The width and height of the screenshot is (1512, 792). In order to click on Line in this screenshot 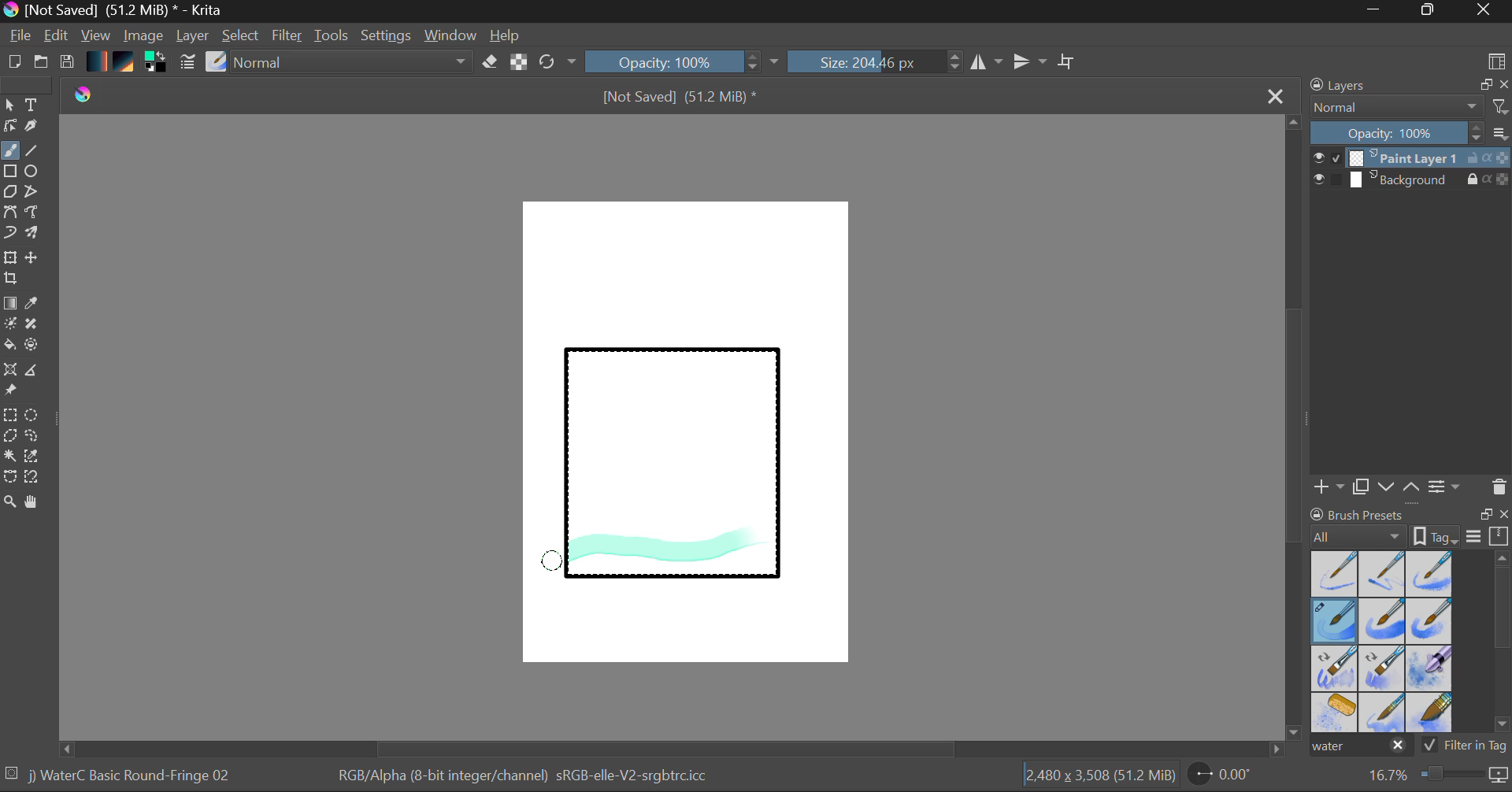, I will do `click(32, 151)`.